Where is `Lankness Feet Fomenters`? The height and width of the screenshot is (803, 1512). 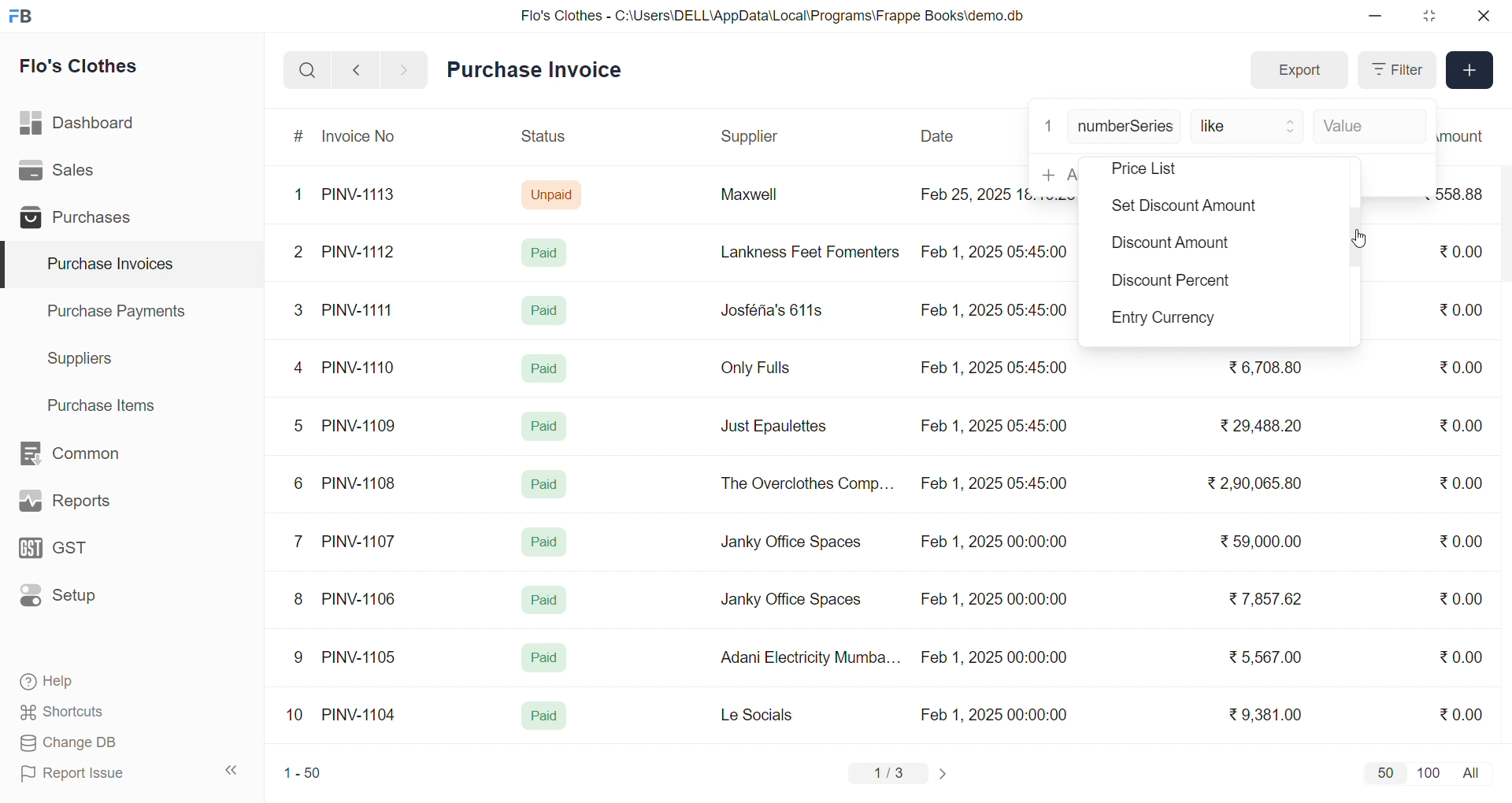
Lankness Feet Fomenters is located at coordinates (800, 252).